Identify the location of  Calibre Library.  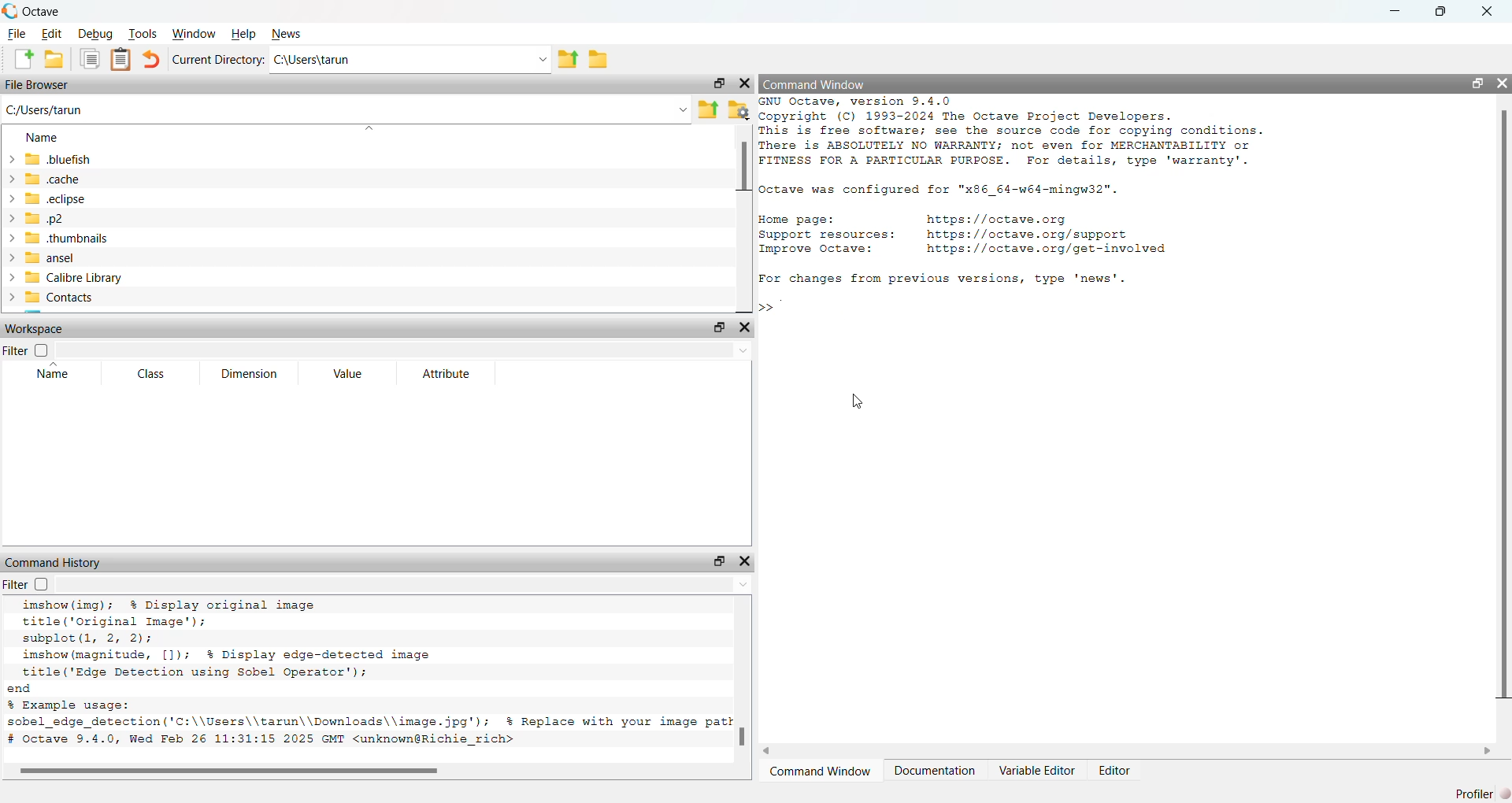
(72, 276).